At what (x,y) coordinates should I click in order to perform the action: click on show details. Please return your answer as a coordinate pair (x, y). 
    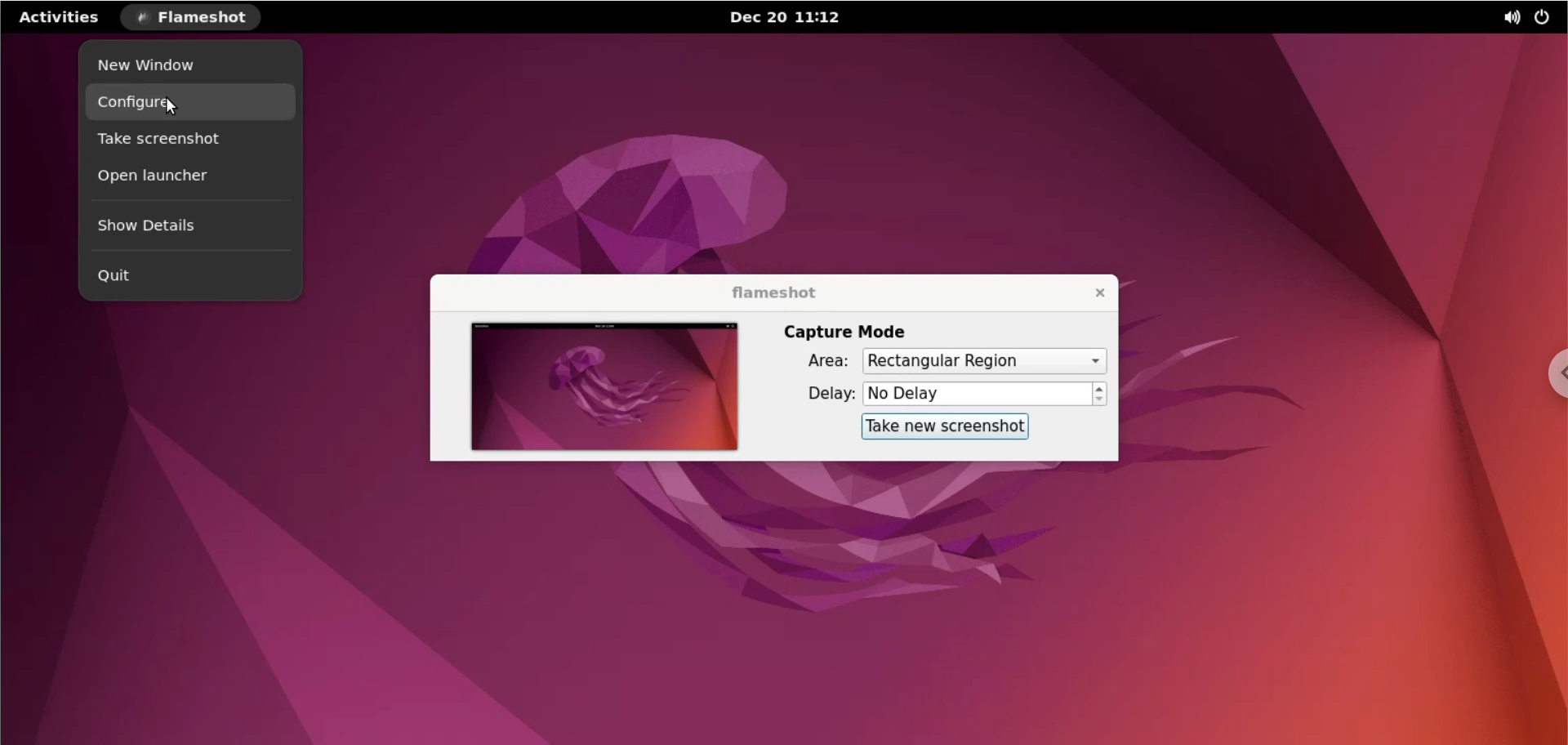
    Looking at the image, I should click on (189, 231).